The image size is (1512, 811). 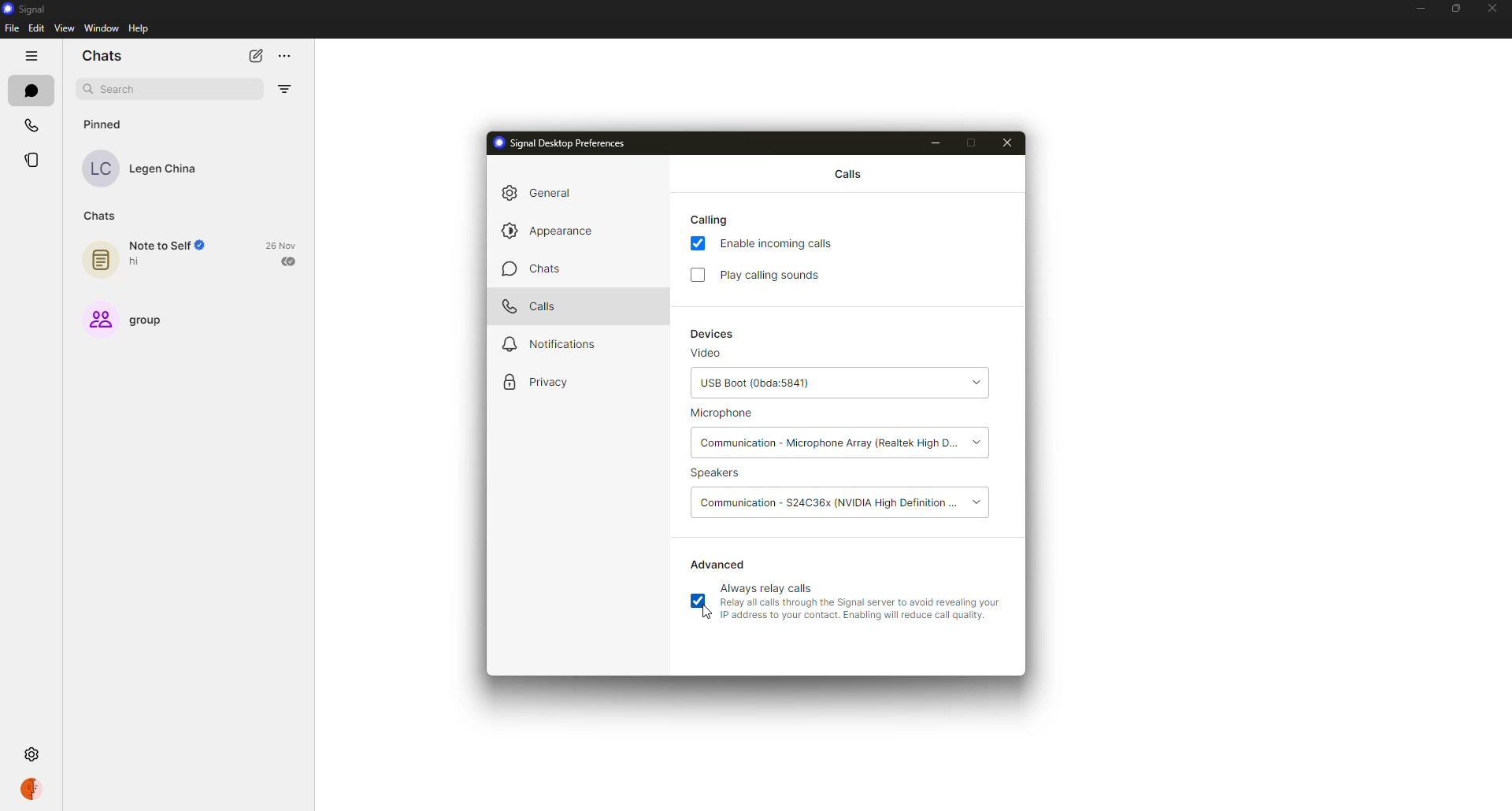 I want to click on more, so click(x=286, y=57).